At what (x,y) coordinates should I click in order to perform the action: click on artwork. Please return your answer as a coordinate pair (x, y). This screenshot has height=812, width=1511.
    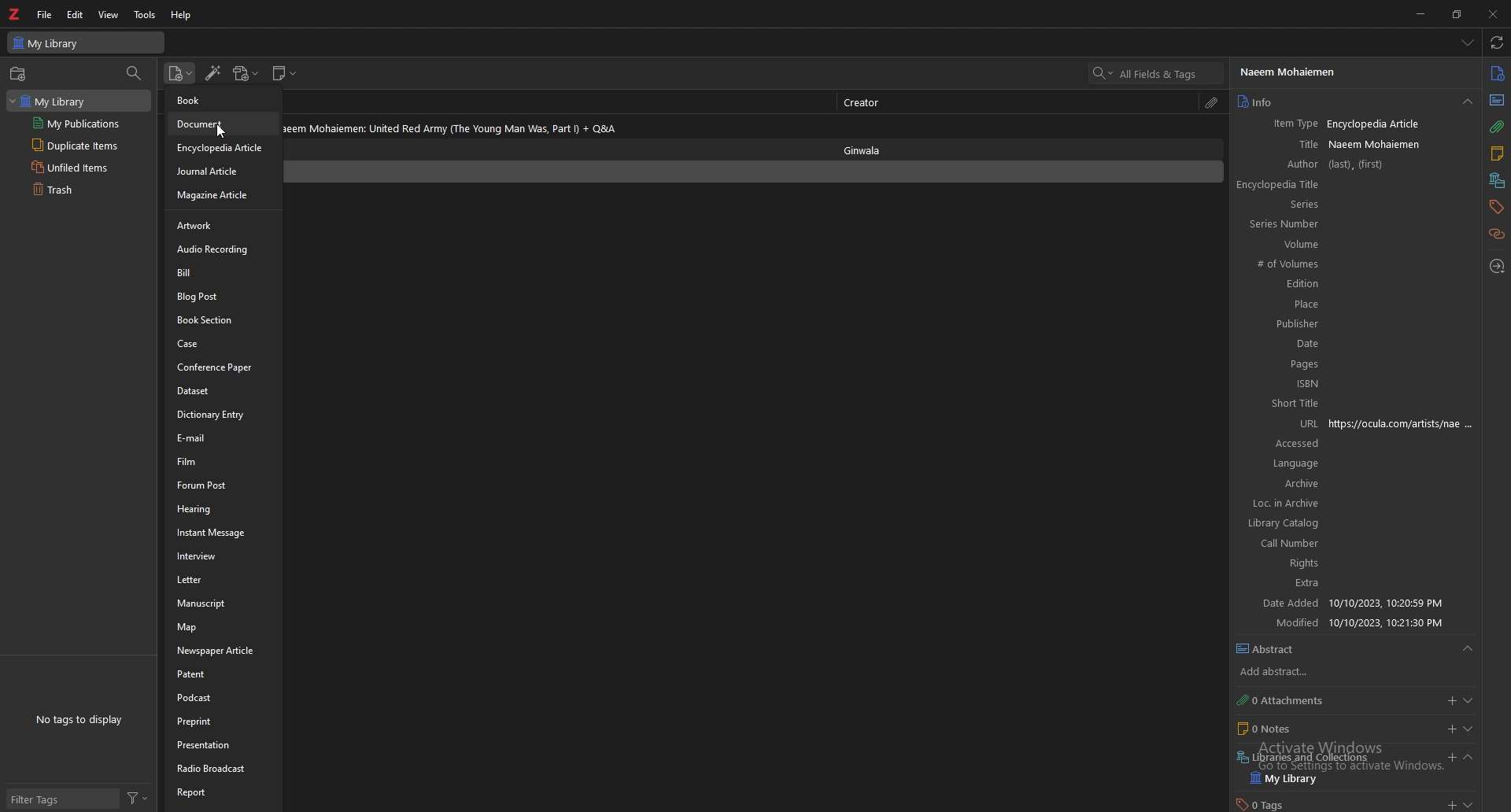
    Looking at the image, I should click on (223, 224).